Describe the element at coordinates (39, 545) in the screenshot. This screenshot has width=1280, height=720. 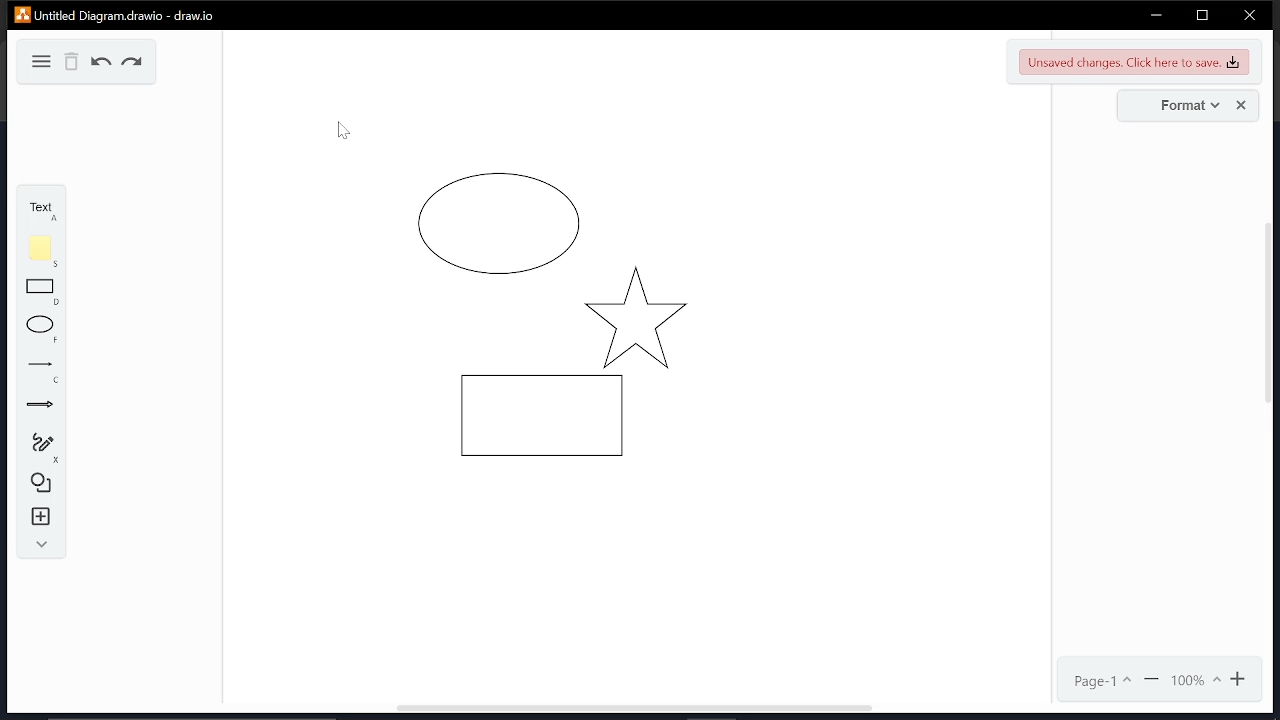
I see `collapse` at that location.